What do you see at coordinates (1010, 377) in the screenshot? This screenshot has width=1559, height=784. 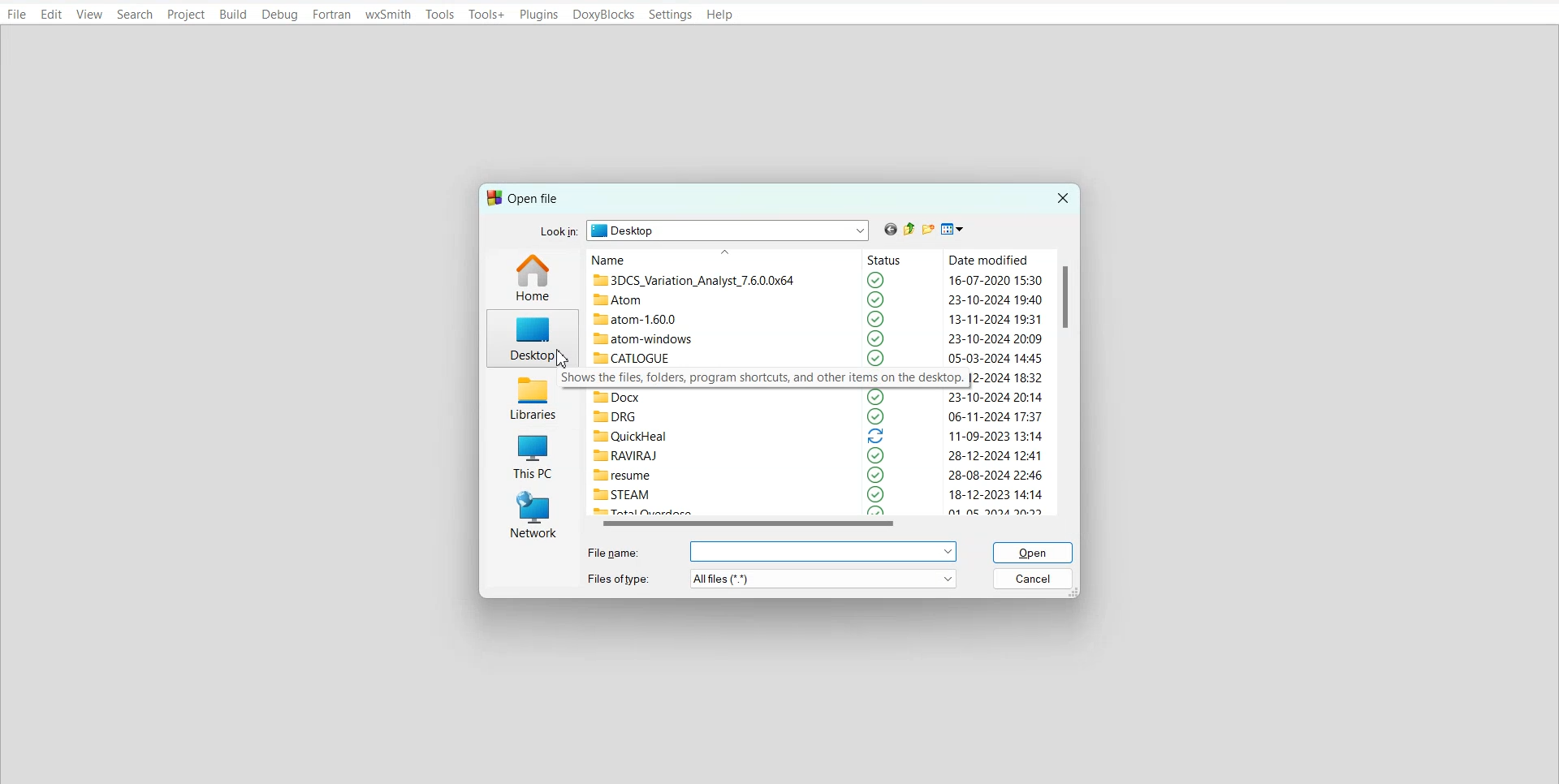 I see `2-2024 18:32` at bounding box center [1010, 377].